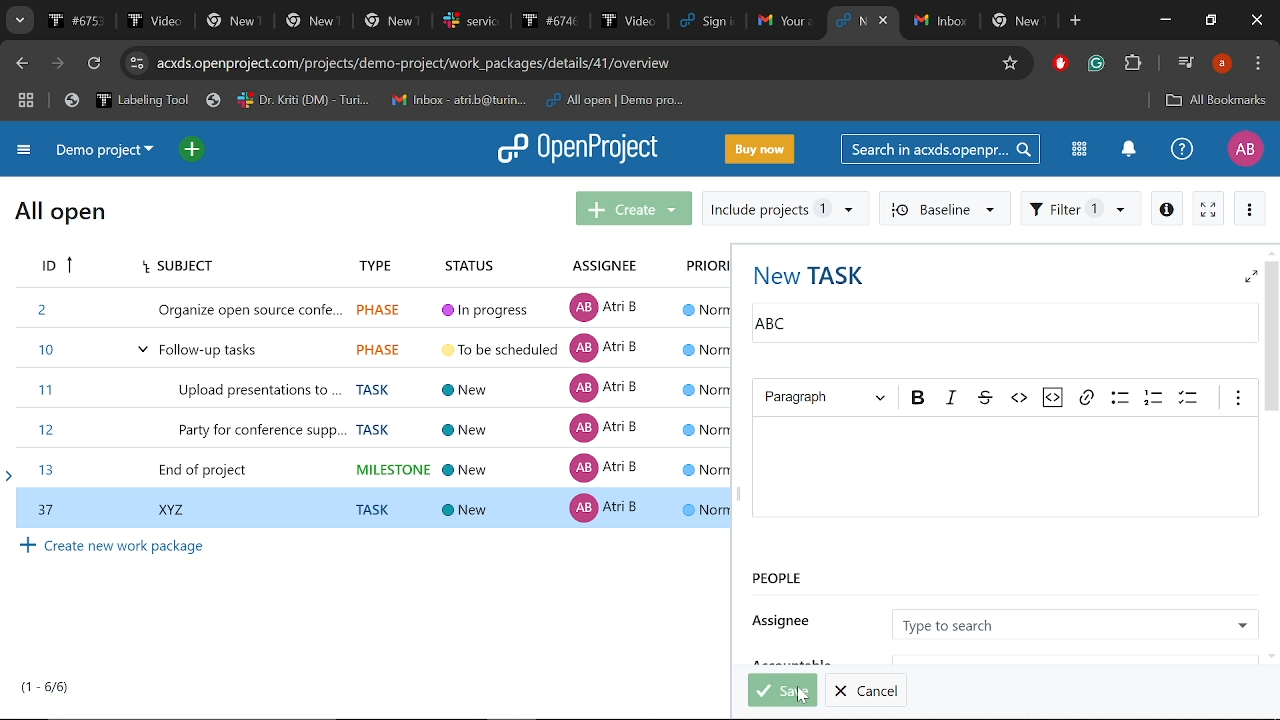  Describe the element at coordinates (1270, 252) in the screenshot. I see `Move up` at that location.